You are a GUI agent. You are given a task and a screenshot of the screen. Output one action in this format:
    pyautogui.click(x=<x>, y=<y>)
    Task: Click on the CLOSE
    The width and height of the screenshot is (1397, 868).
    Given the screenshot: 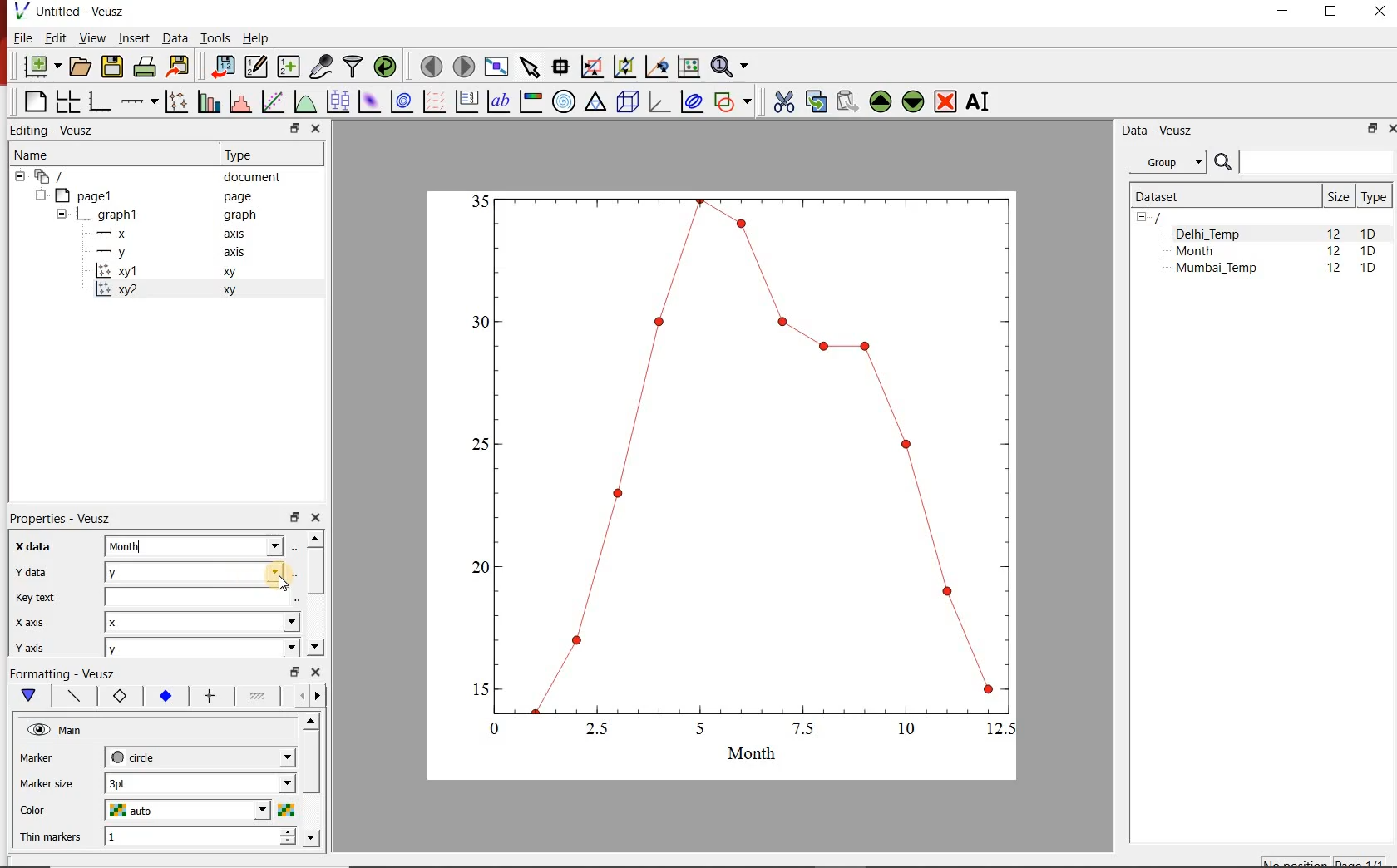 What is the action you would take?
    pyautogui.click(x=1377, y=11)
    